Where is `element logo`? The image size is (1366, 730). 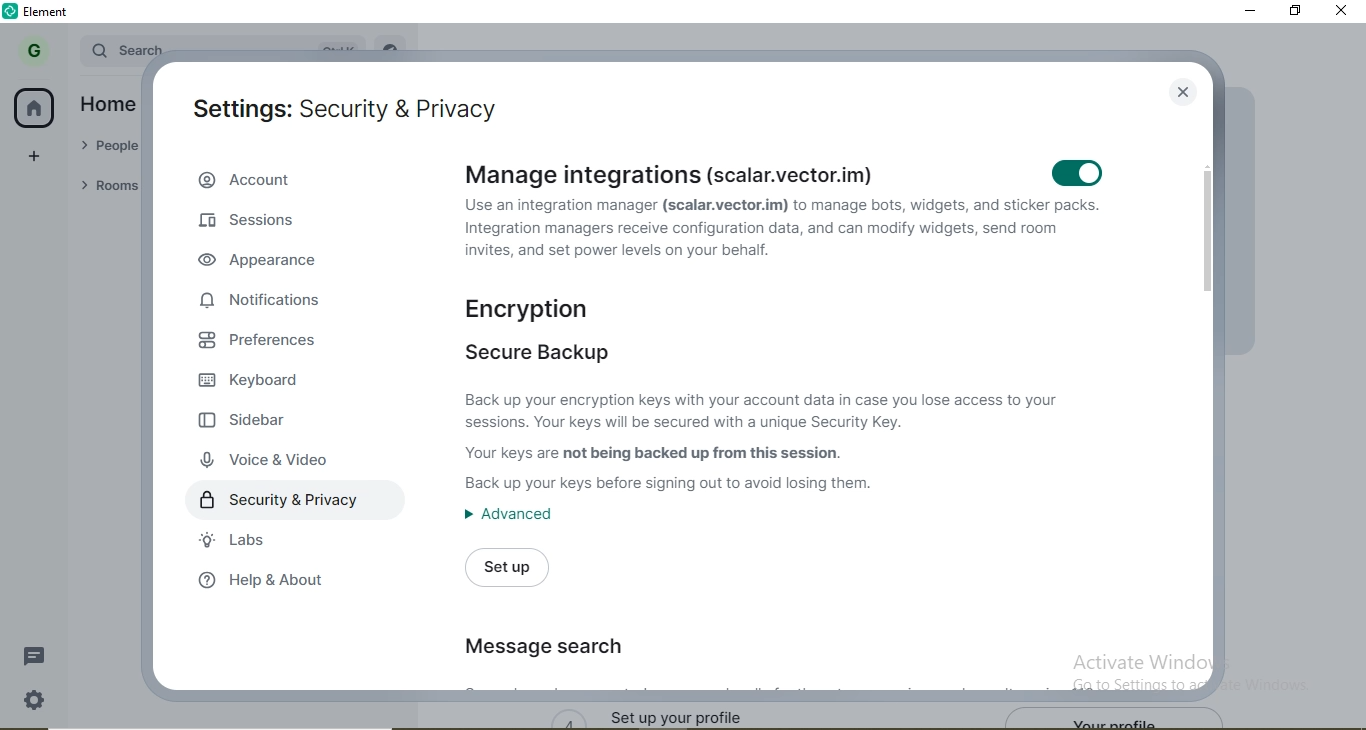 element logo is located at coordinates (13, 11).